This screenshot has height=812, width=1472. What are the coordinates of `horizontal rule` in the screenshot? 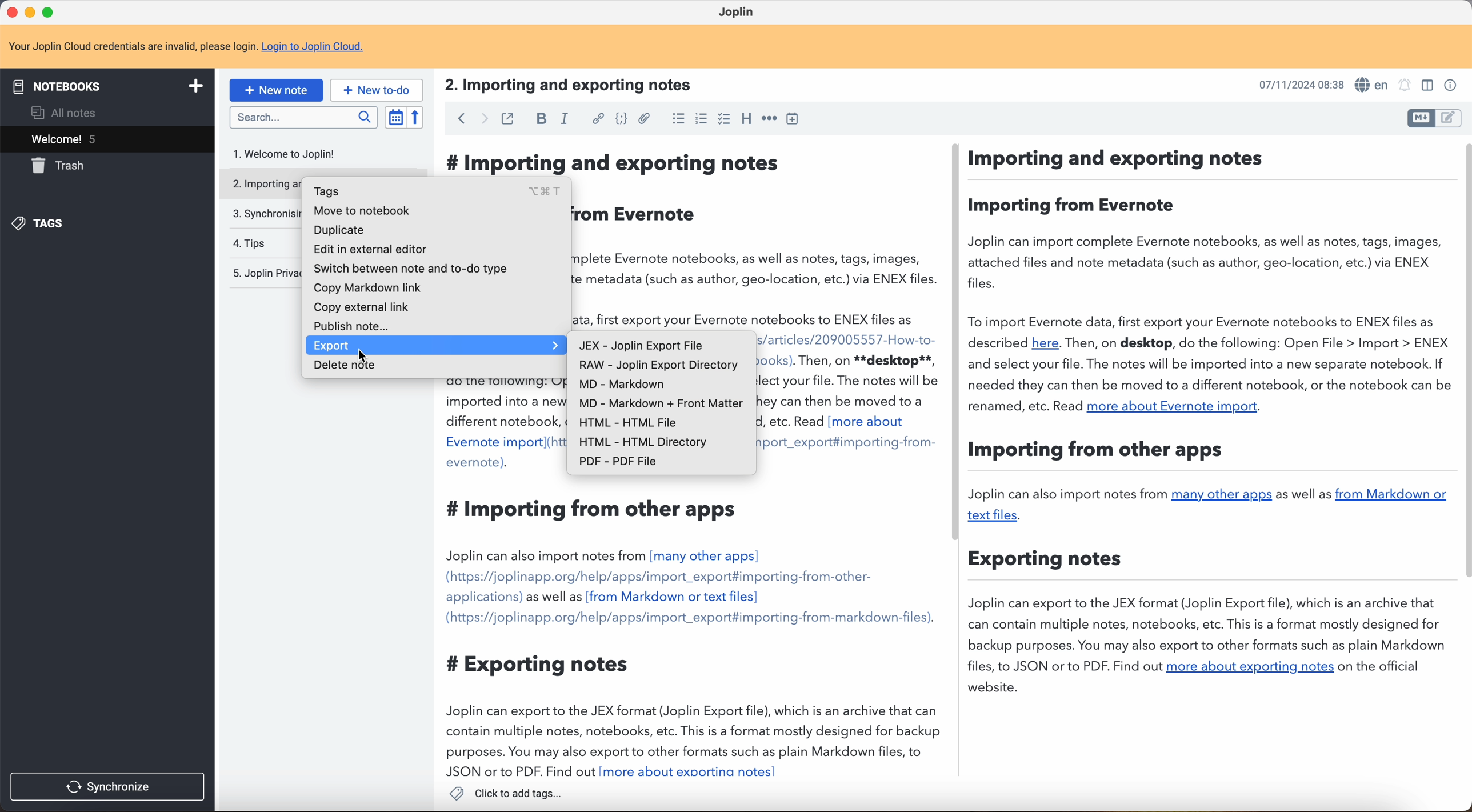 It's located at (770, 120).